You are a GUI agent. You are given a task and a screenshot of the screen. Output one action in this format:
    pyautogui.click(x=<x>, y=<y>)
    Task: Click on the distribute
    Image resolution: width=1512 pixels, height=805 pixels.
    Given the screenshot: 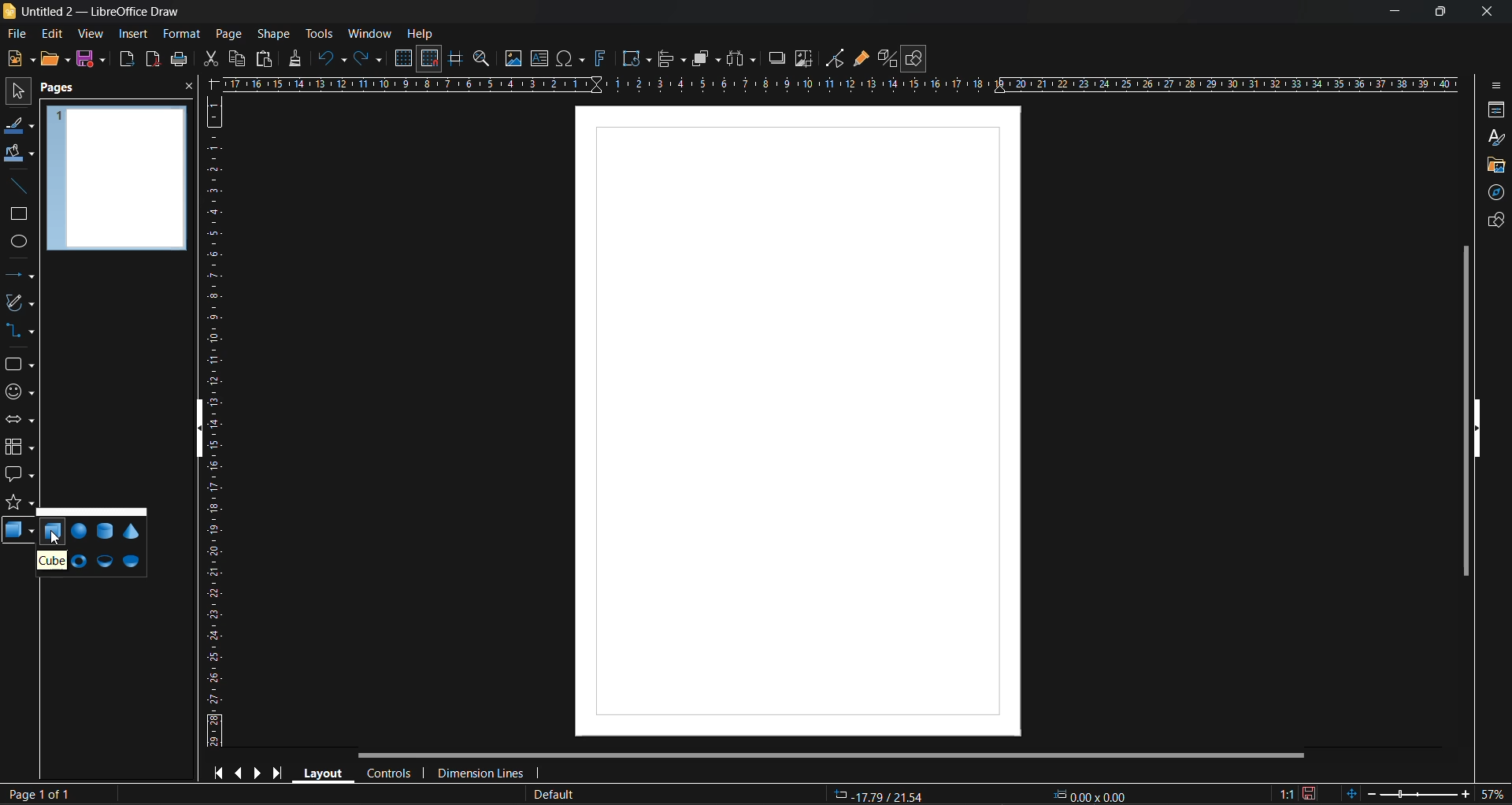 What is the action you would take?
    pyautogui.click(x=743, y=57)
    